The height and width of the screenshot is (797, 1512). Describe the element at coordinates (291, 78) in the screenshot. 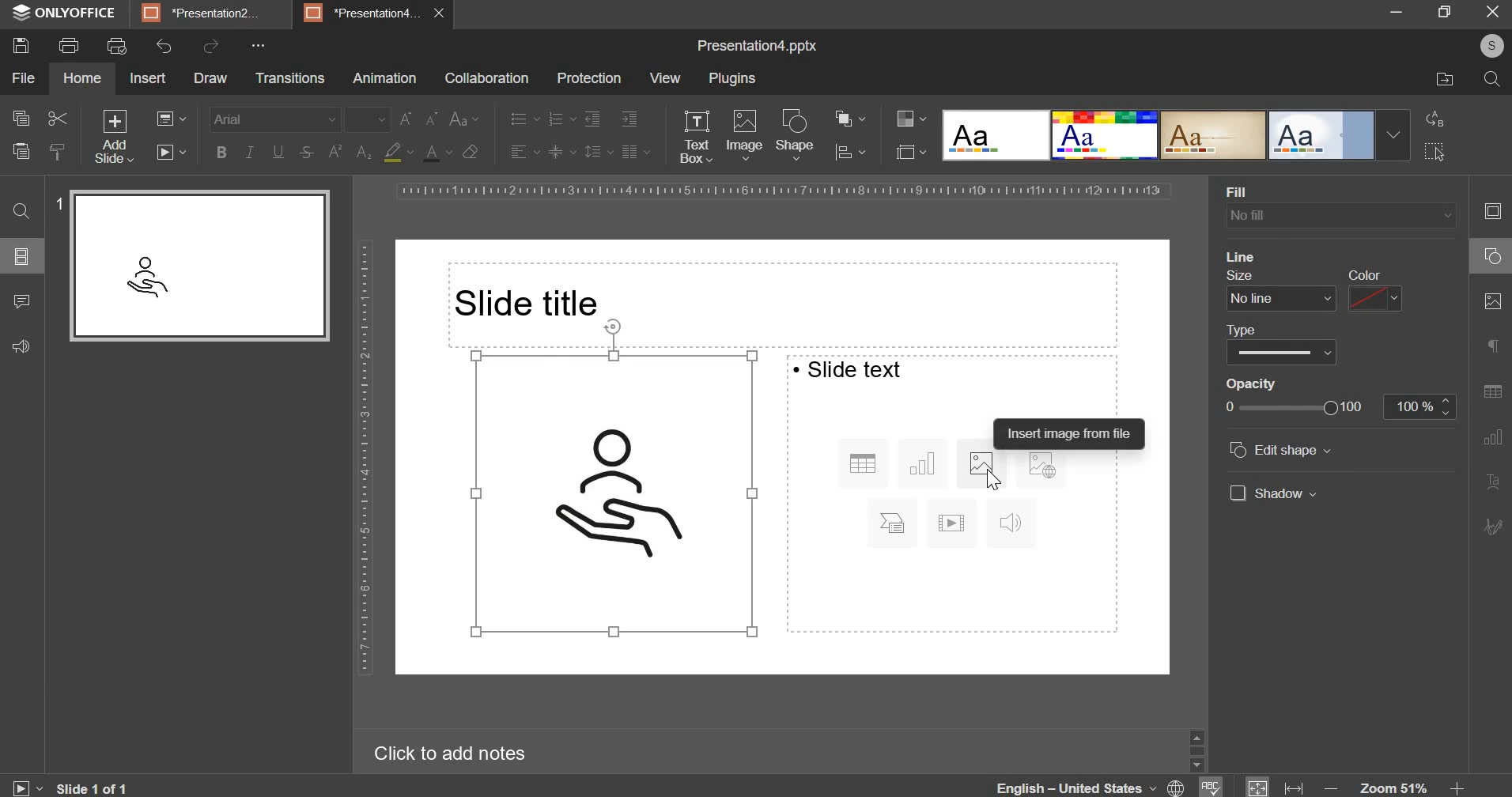

I see `transitions` at that location.